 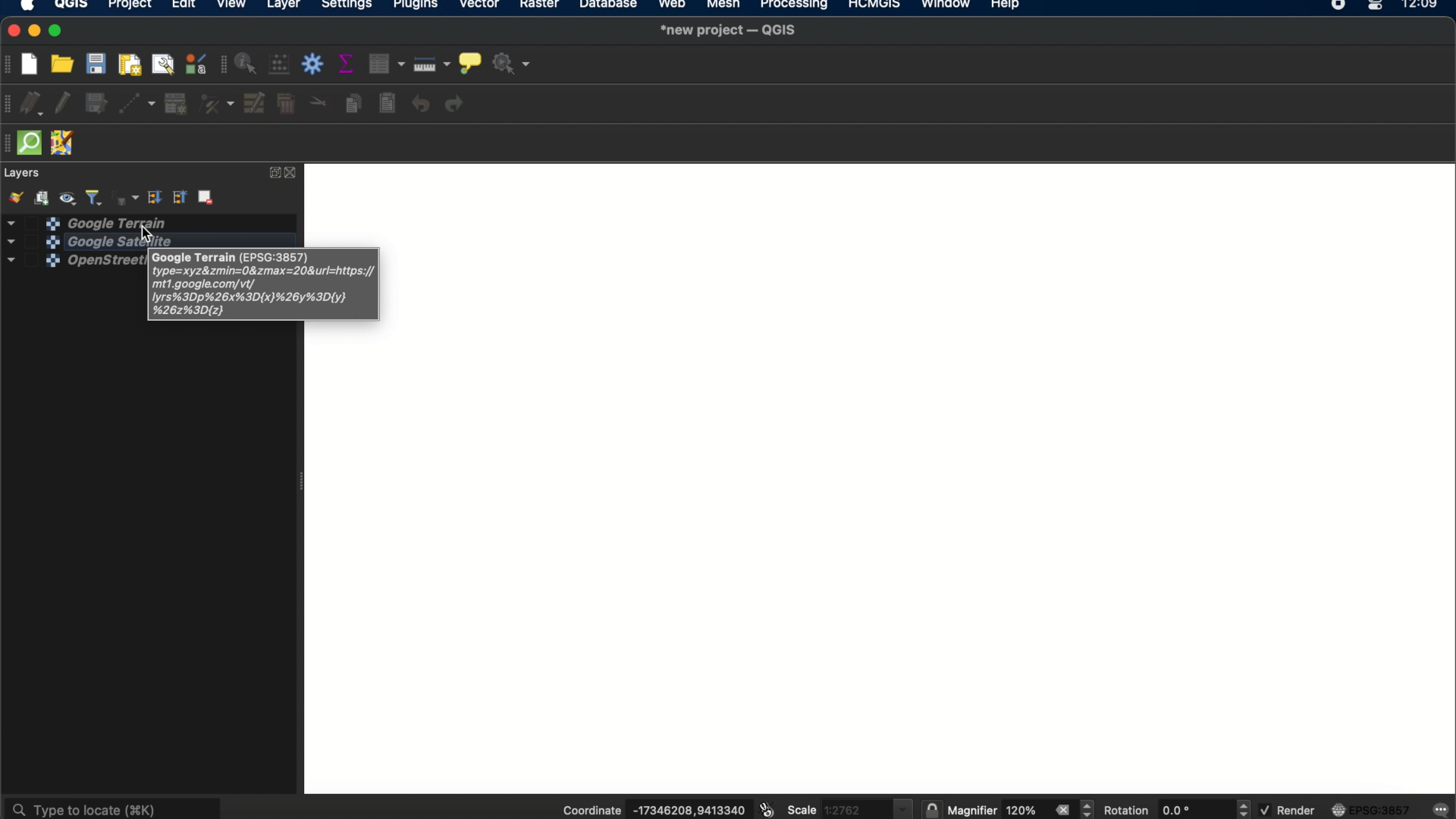 I want to click on QGIS, so click(x=71, y=6).